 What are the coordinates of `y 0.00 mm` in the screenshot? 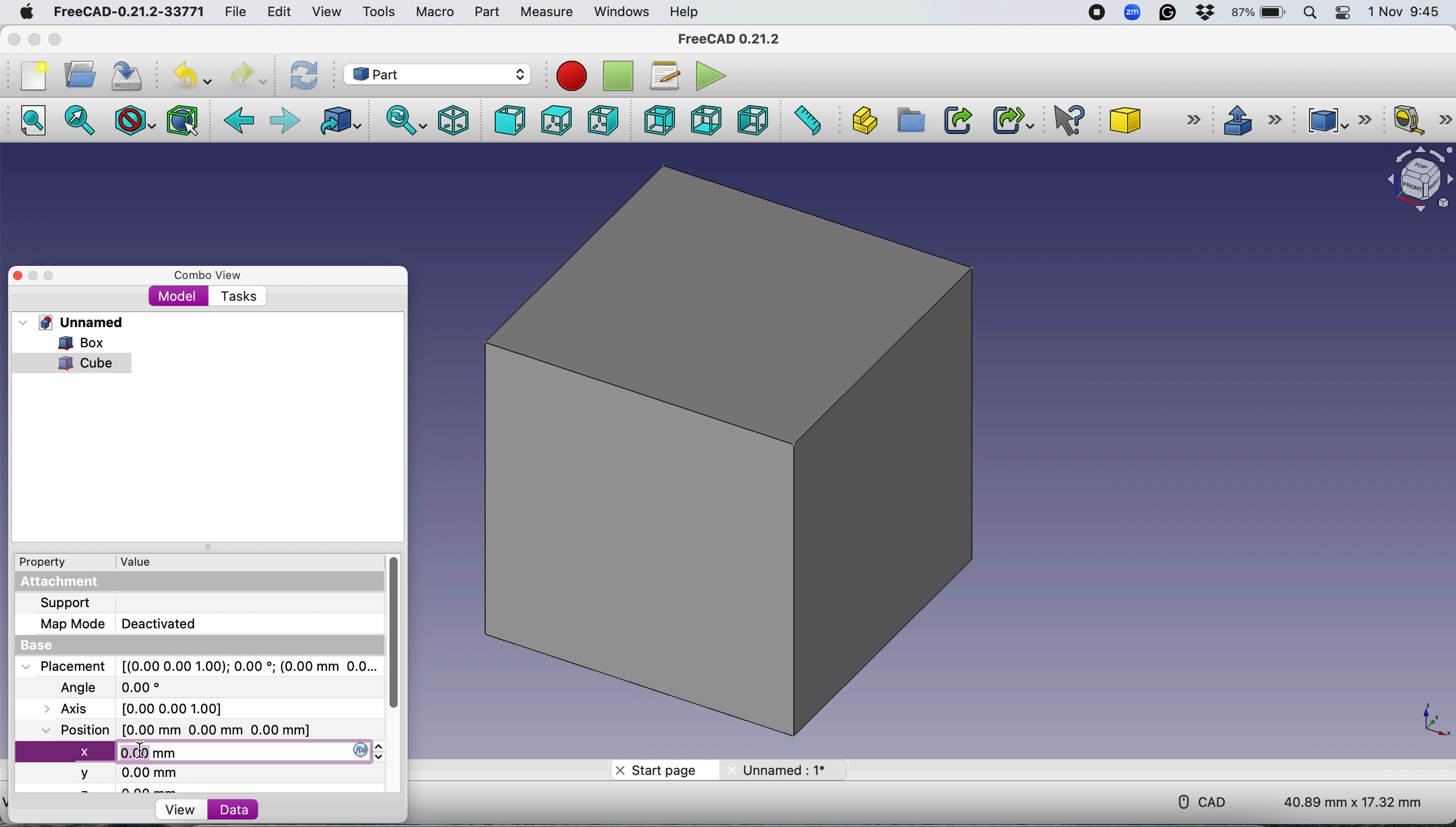 It's located at (122, 774).